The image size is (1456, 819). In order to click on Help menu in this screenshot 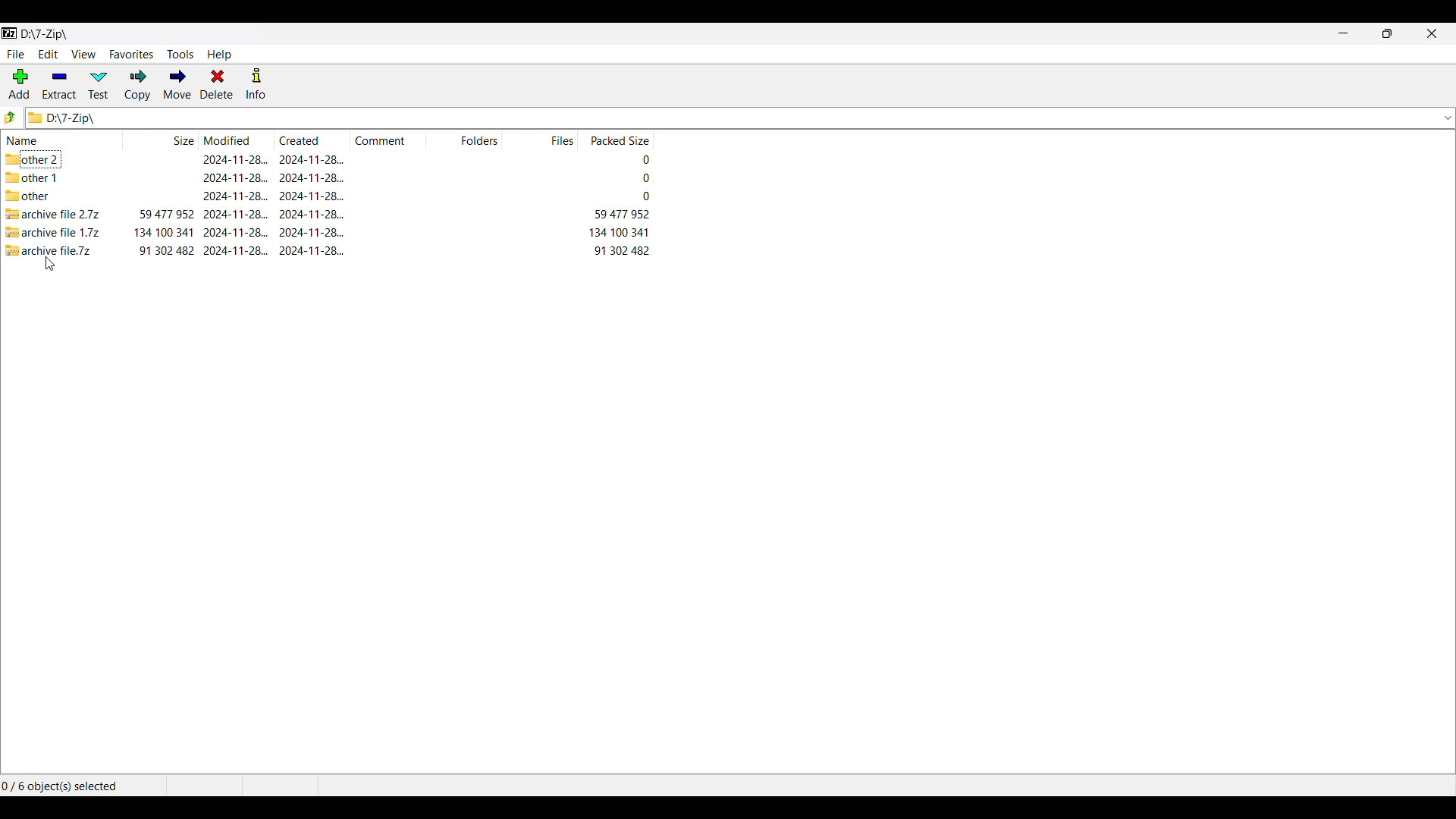, I will do `click(219, 55)`.